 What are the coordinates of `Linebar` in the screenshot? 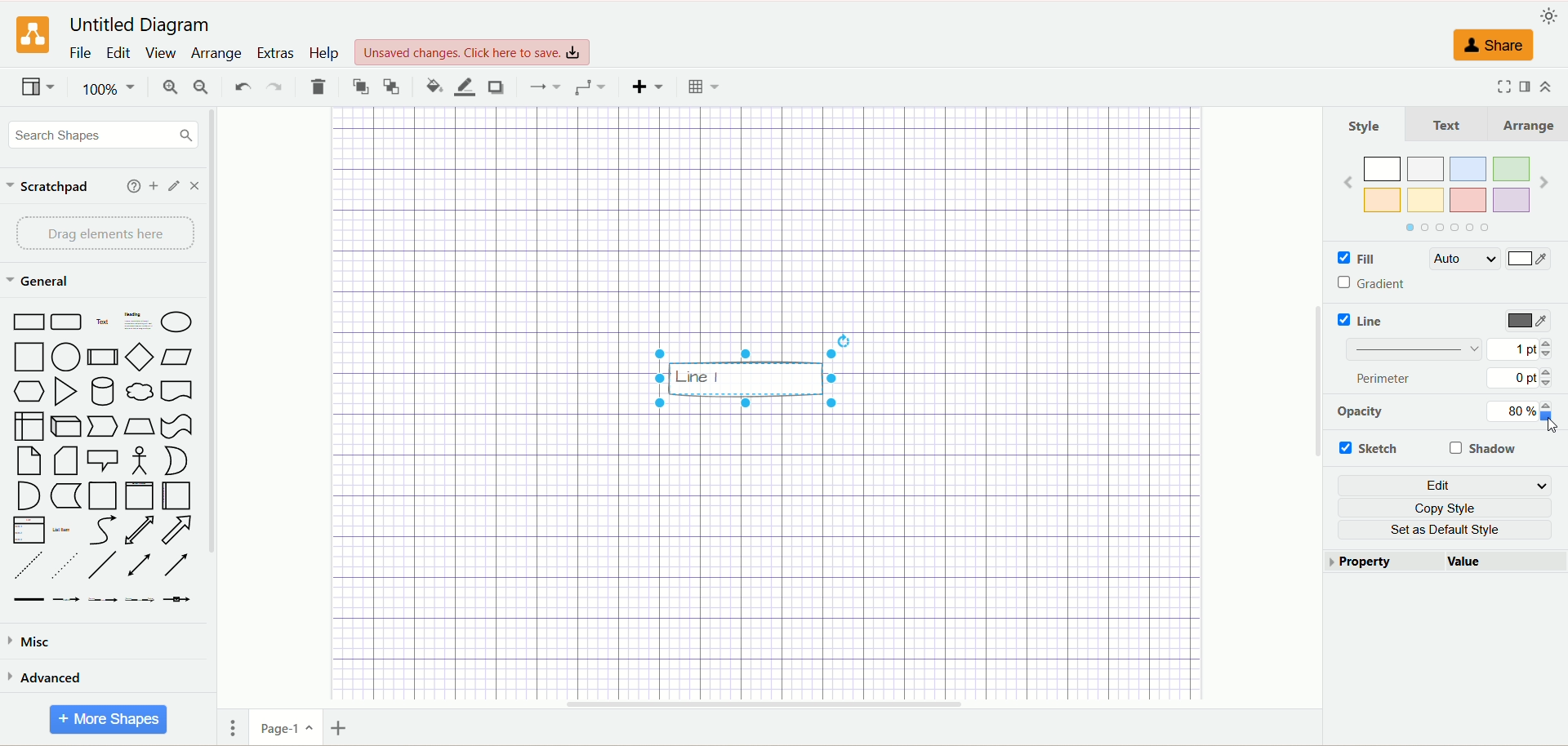 It's located at (1418, 350).